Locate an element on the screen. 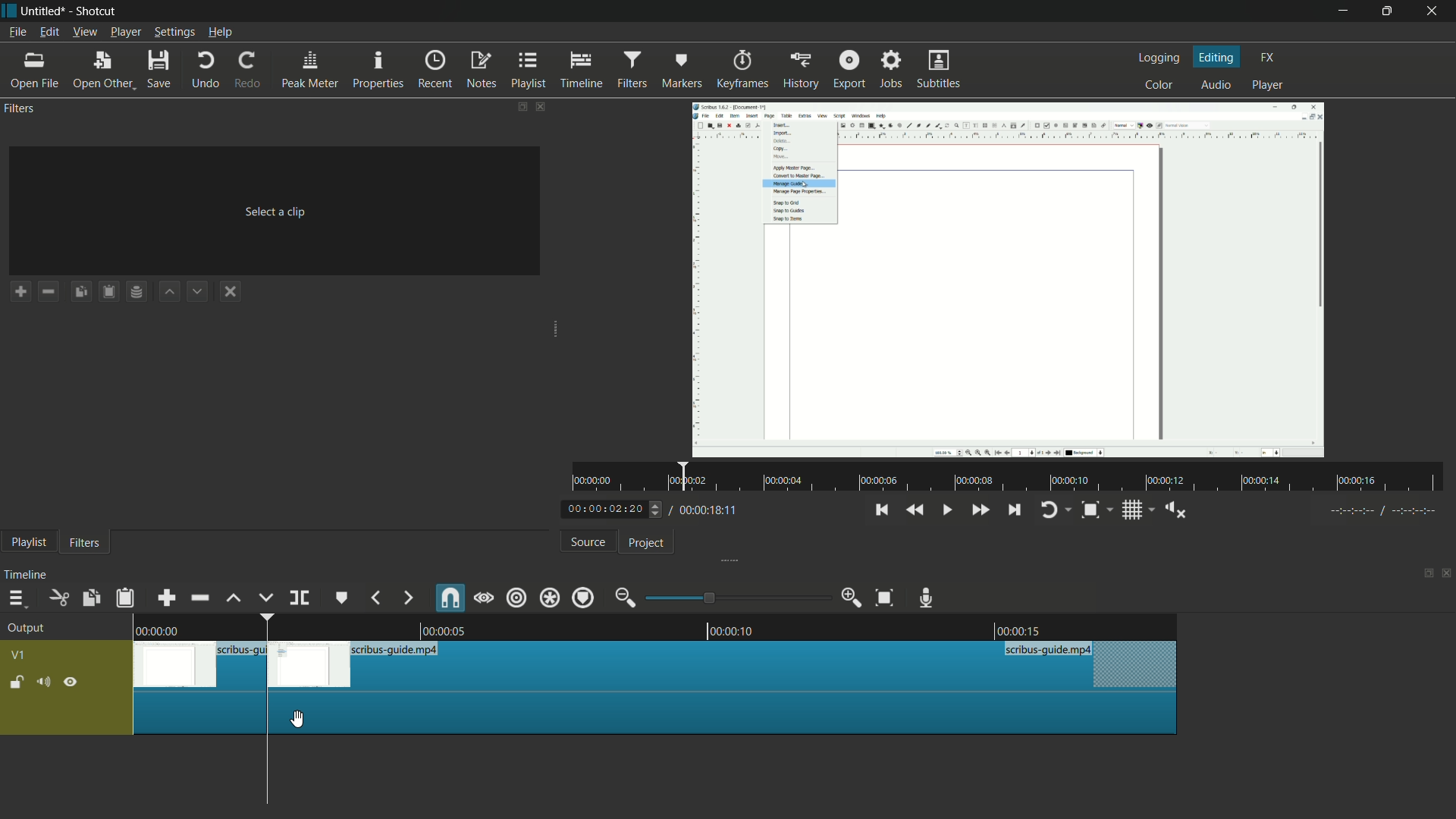  subtitles is located at coordinates (938, 68).